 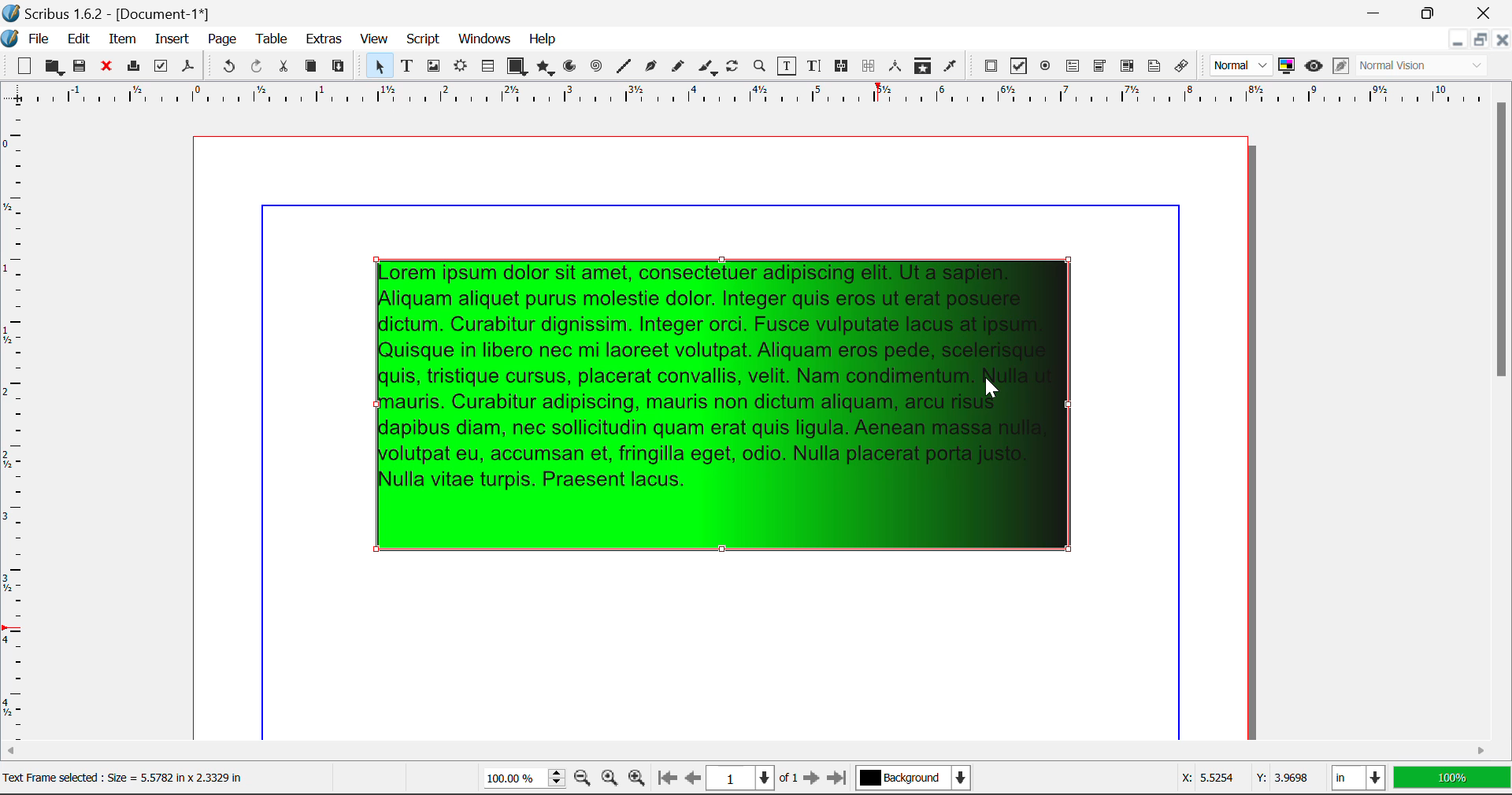 I want to click on Scribus 1.6.2 - [Document-1*], so click(x=111, y=13).